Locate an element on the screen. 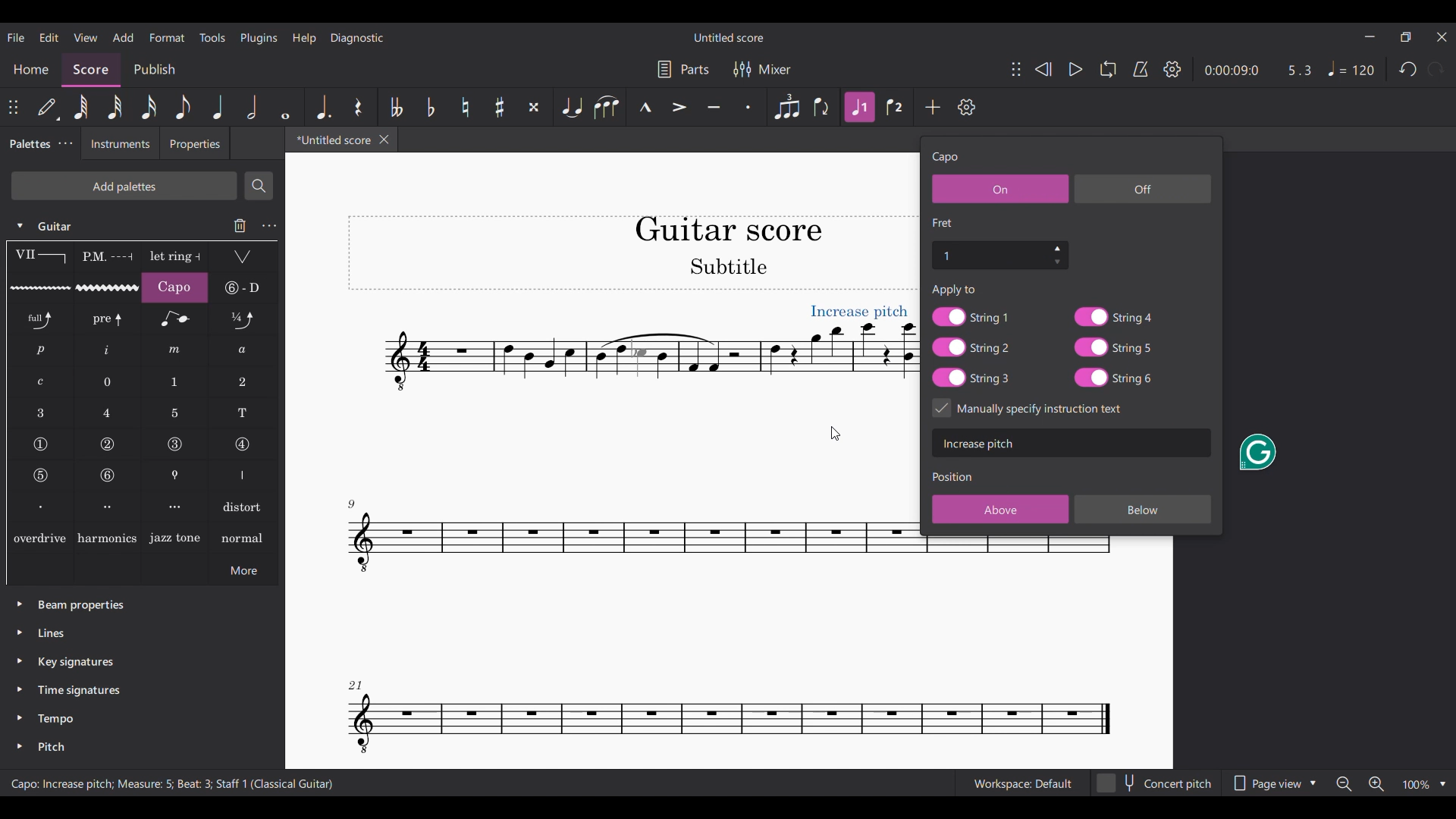 This screenshot has height=819, width=1456. Tools menu is located at coordinates (212, 37).